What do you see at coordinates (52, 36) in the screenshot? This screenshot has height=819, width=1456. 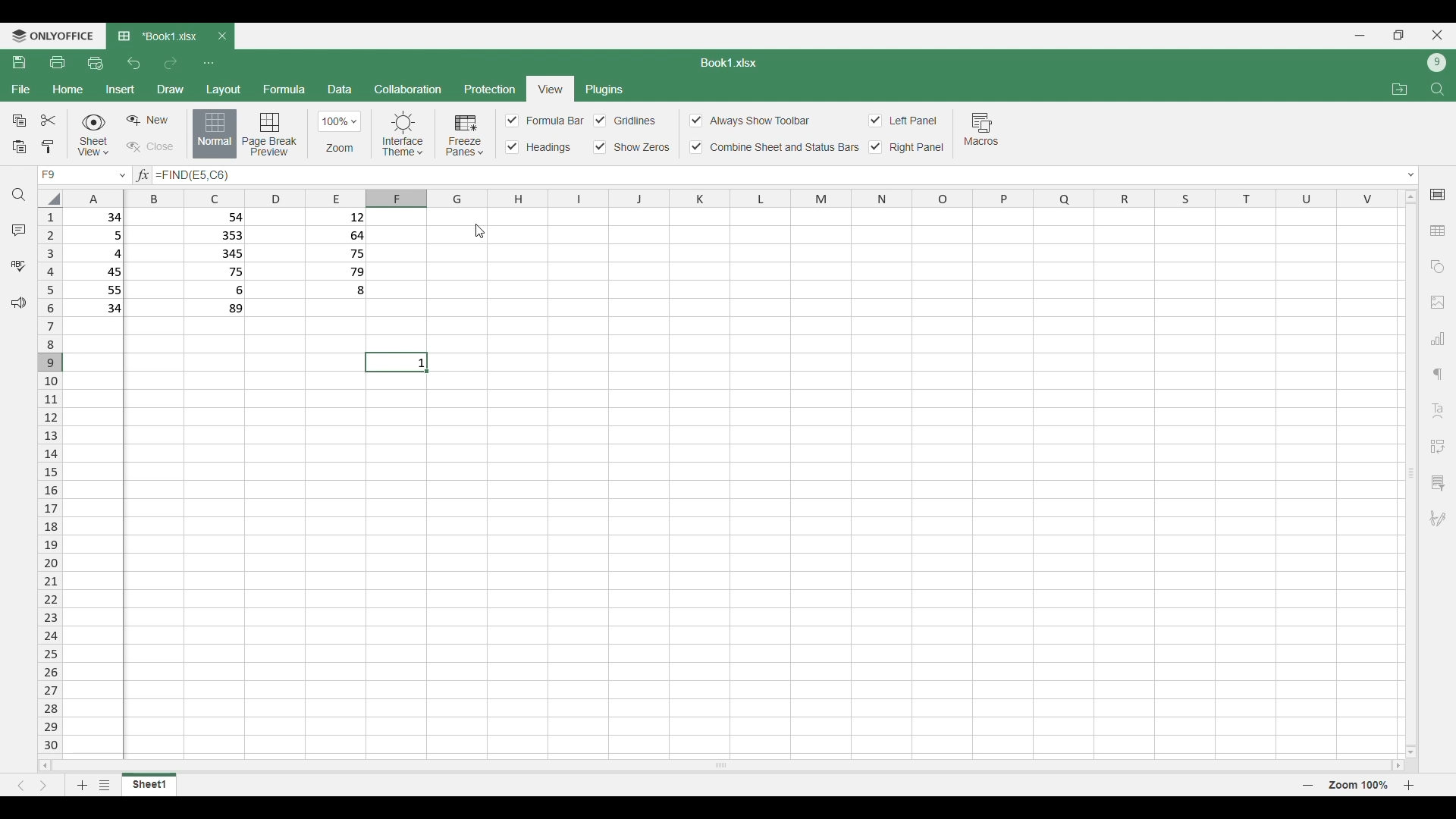 I see `Software logo and name: onlyoffice` at bounding box center [52, 36].